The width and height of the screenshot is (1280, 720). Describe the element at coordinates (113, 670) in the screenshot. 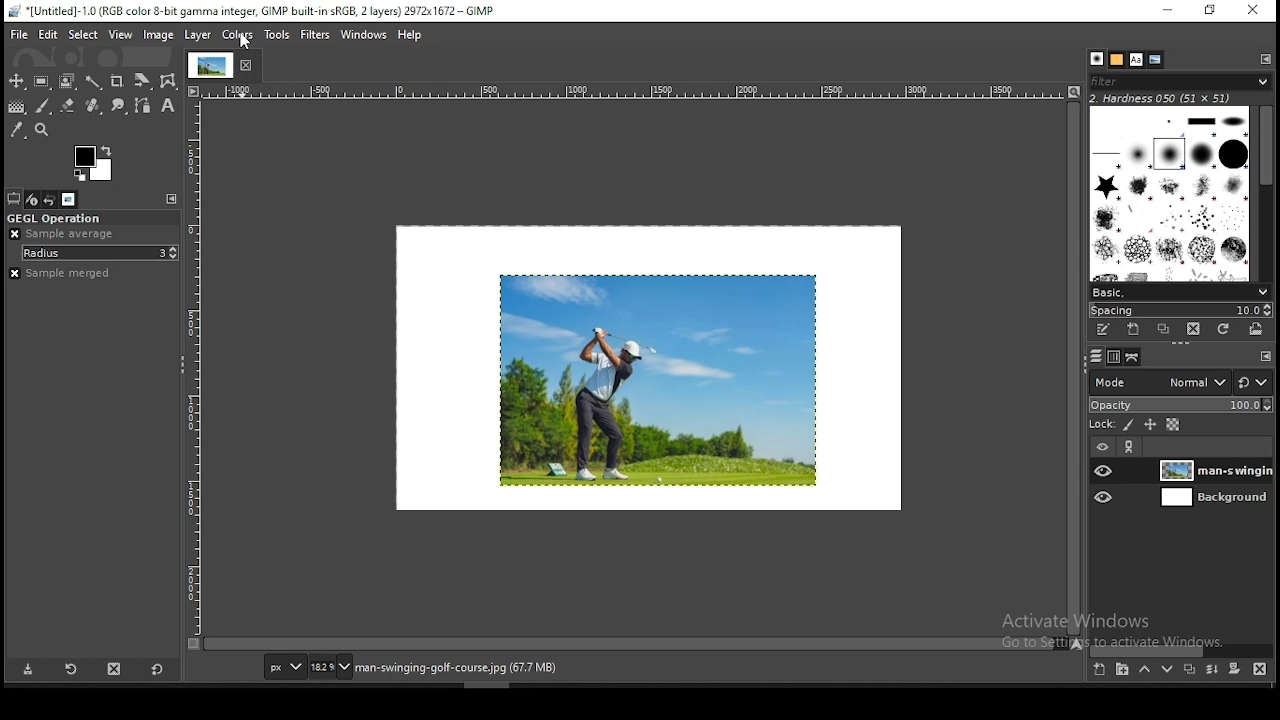

I see `delete tool preset` at that location.